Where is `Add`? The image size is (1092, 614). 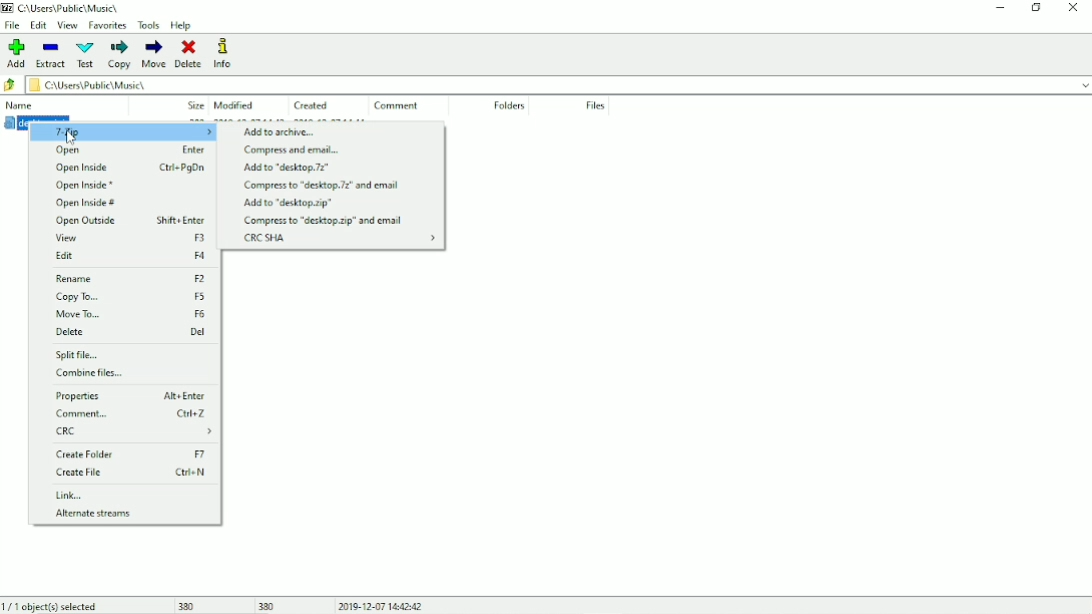
Add is located at coordinates (14, 54).